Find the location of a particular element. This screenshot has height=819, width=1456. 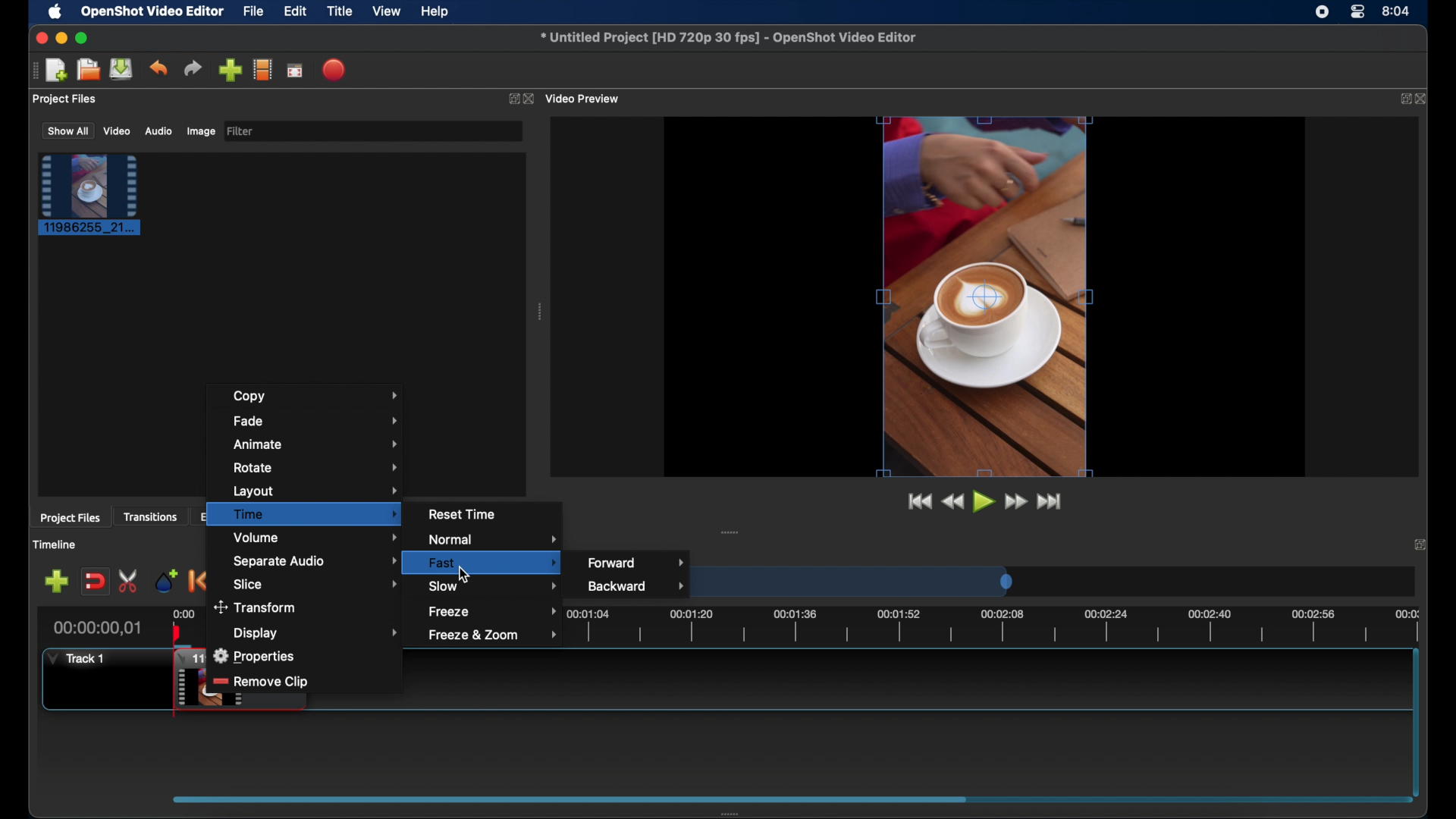

drag handle is located at coordinates (739, 811).